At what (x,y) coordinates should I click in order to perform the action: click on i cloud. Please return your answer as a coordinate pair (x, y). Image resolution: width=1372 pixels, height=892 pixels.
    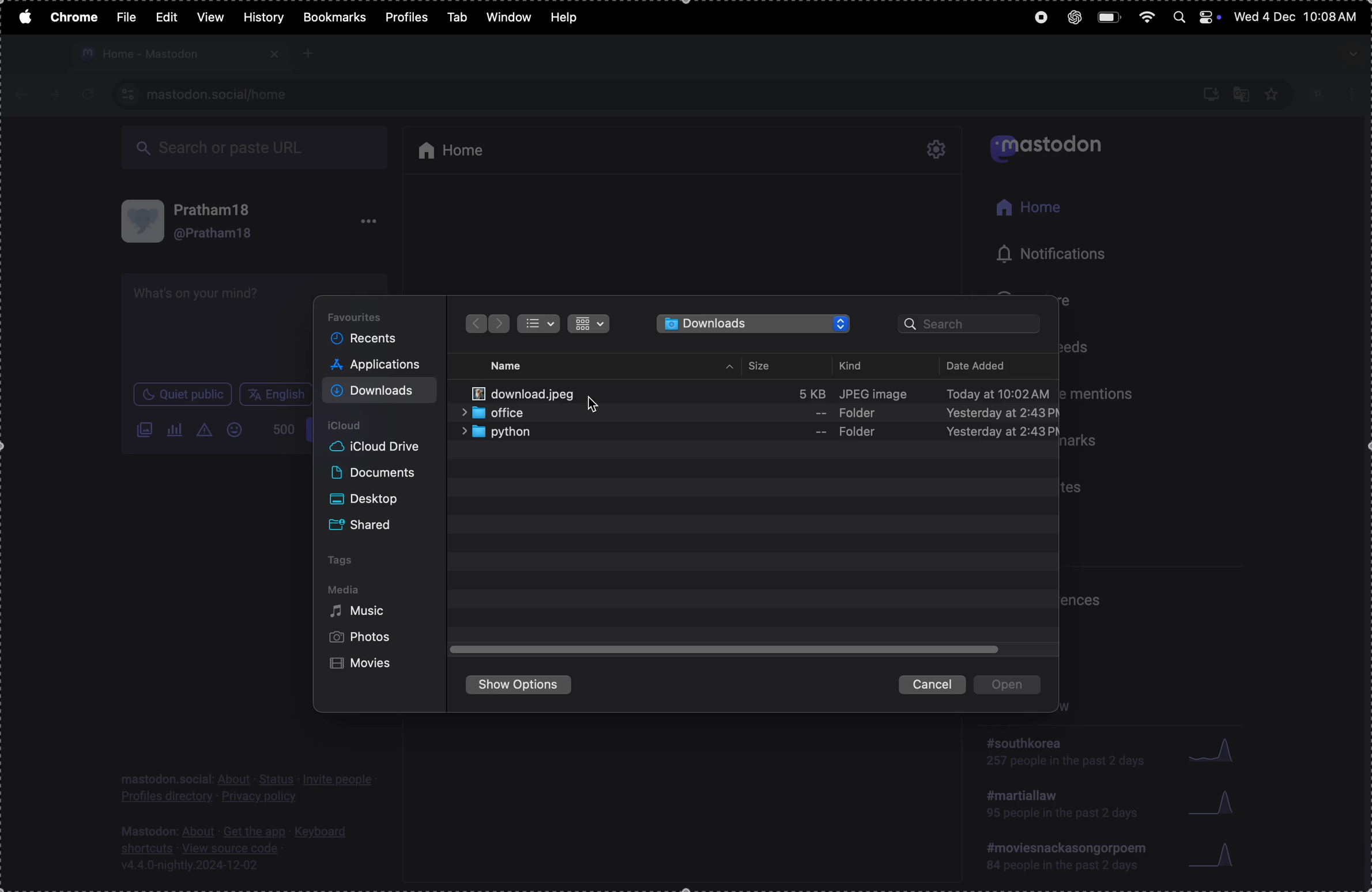
    Looking at the image, I should click on (359, 424).